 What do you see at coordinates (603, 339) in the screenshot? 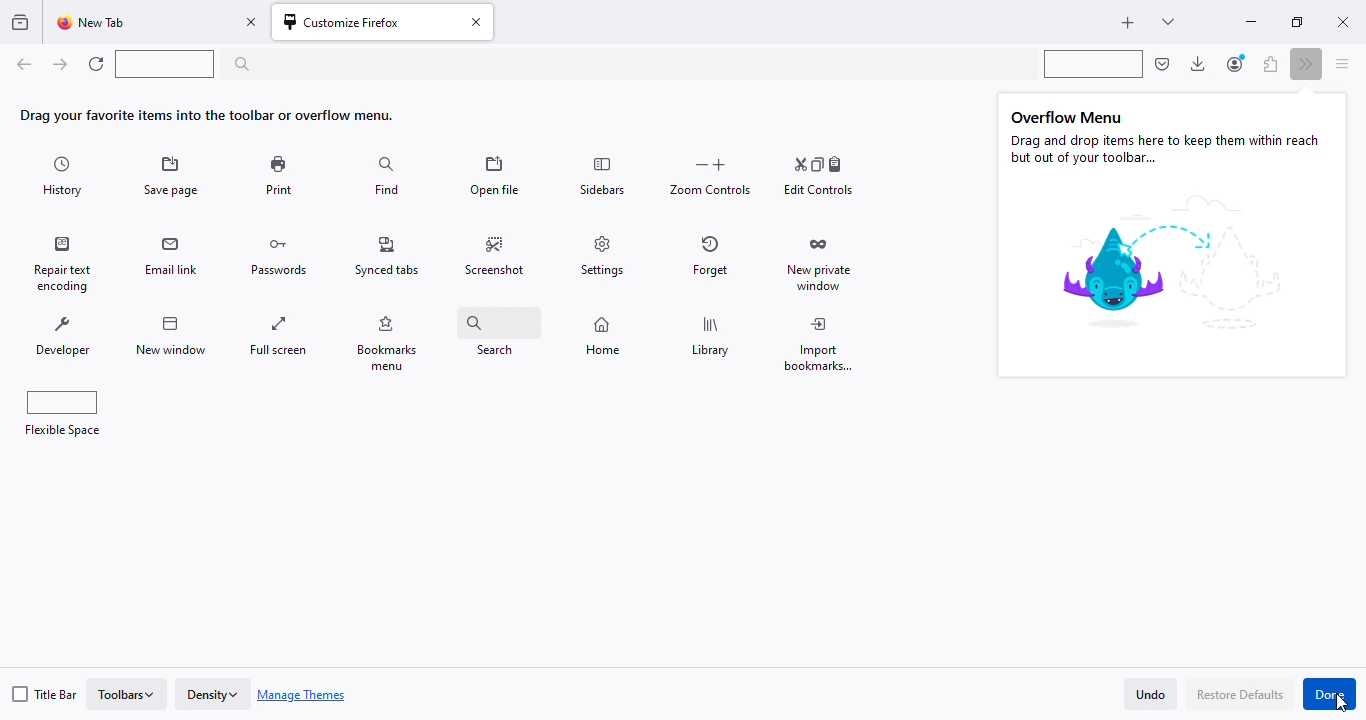
I see `home` at bounding box center [603, 339].